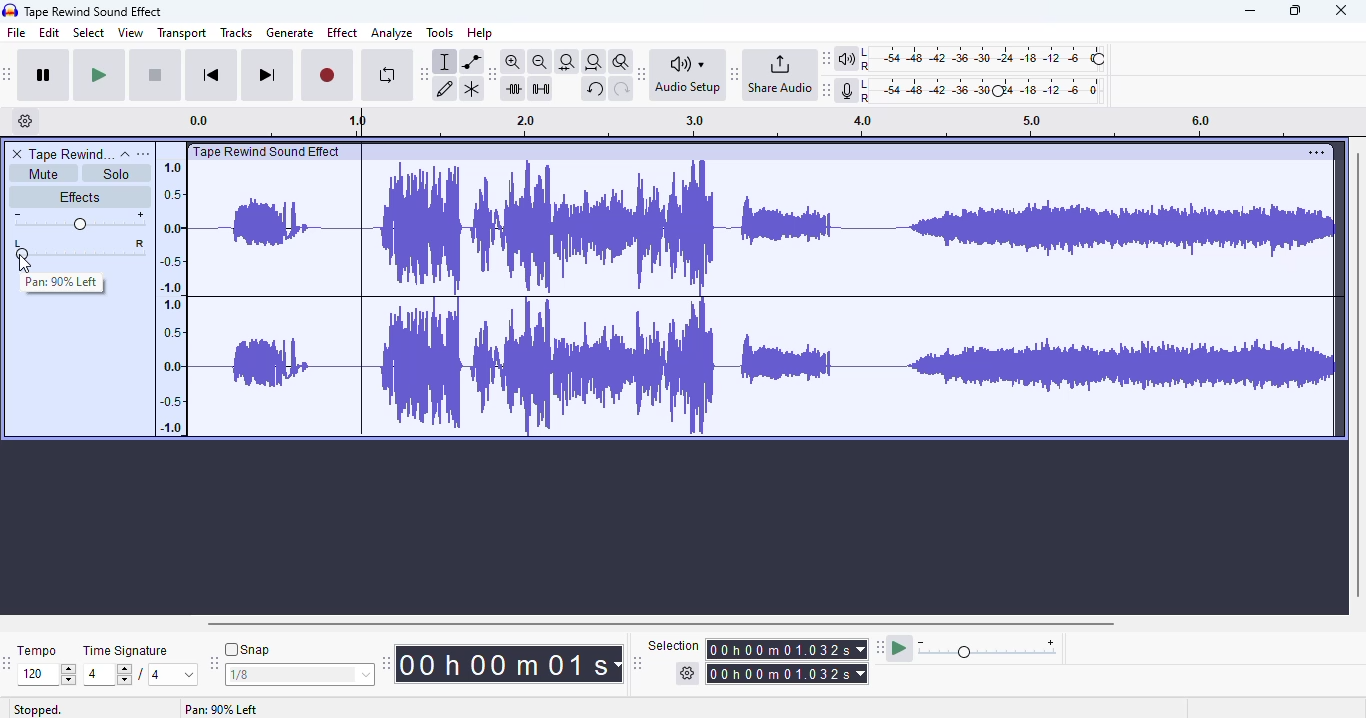  What do you see at coordinates (424, 75) in the screenshot?
I see `audacity tools toolbar` at bounding box center [424, 75].